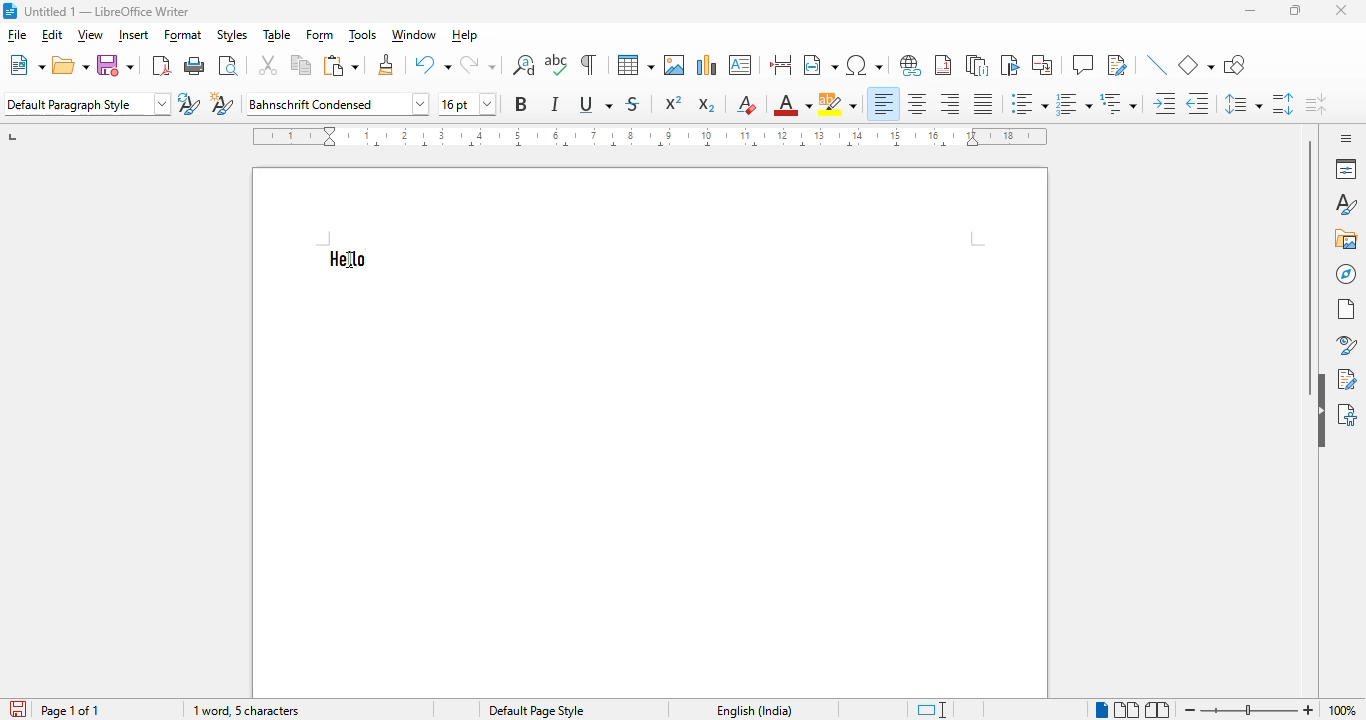 The image size is (1366, 720). I want to click on subscript, so click(708, 105).